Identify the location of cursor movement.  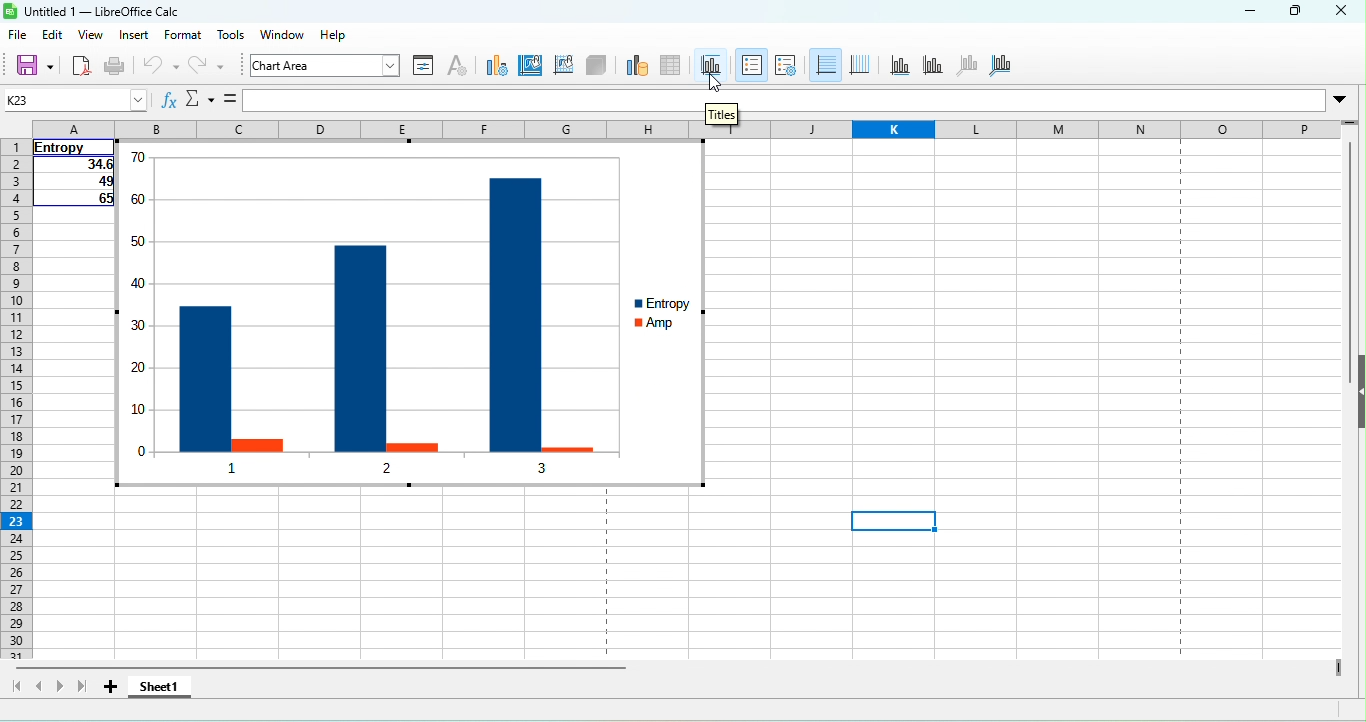
(633, 443).